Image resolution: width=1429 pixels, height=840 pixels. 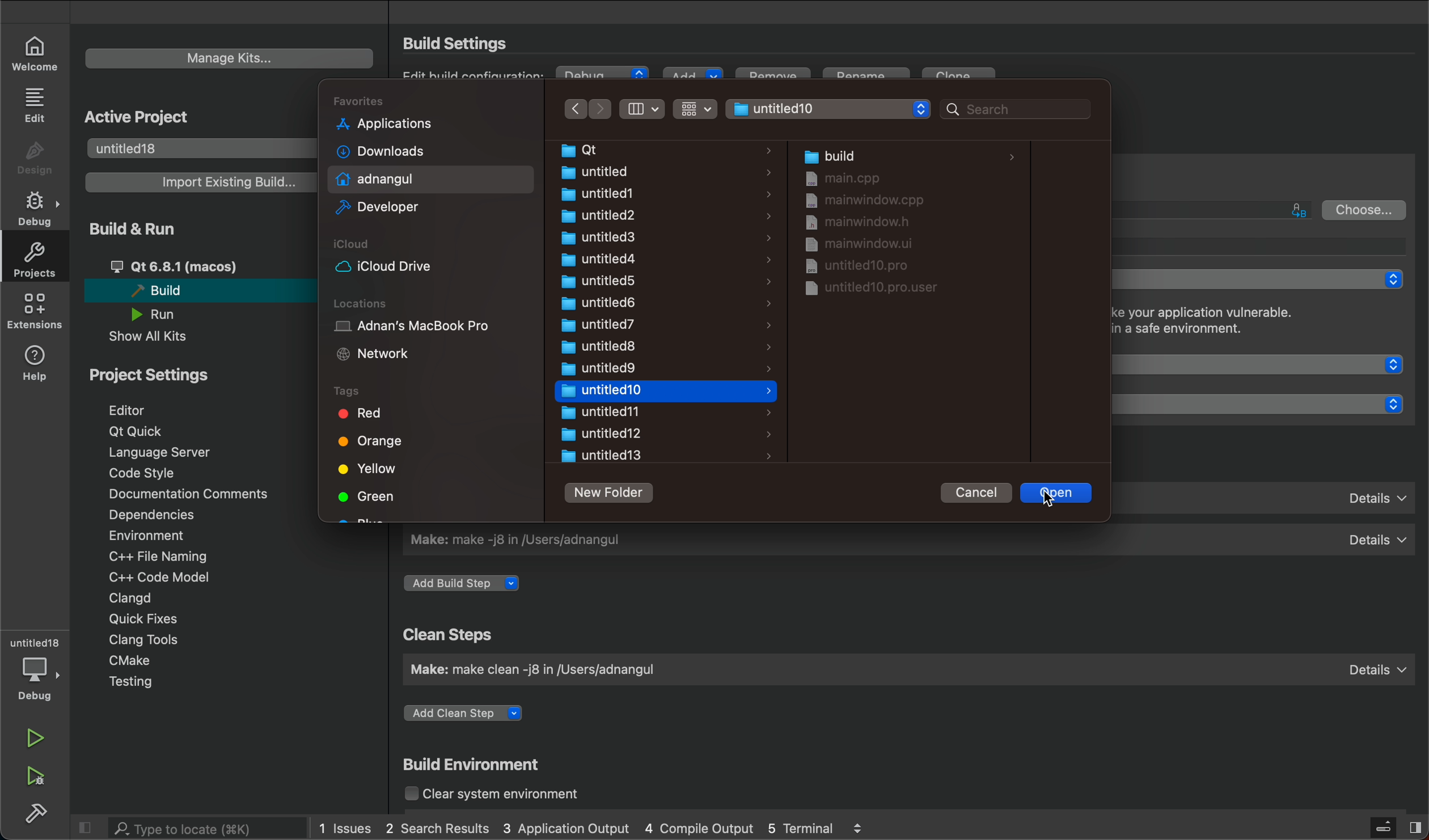 I want to click on clear system environment, so click(x=506, y=796).